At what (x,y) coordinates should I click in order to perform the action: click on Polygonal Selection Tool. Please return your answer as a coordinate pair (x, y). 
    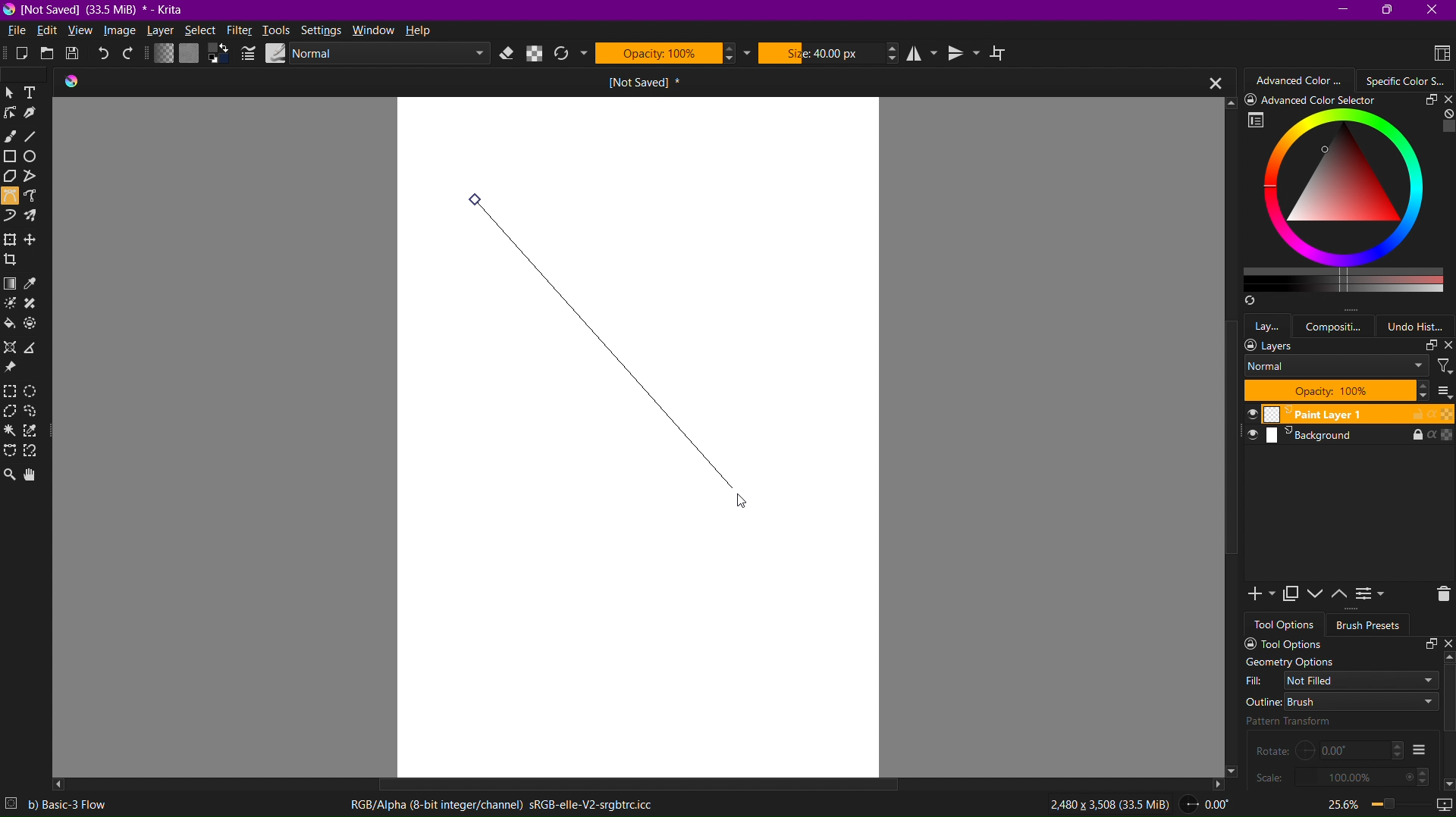
    Looking at the image, I should click on (12, 412).